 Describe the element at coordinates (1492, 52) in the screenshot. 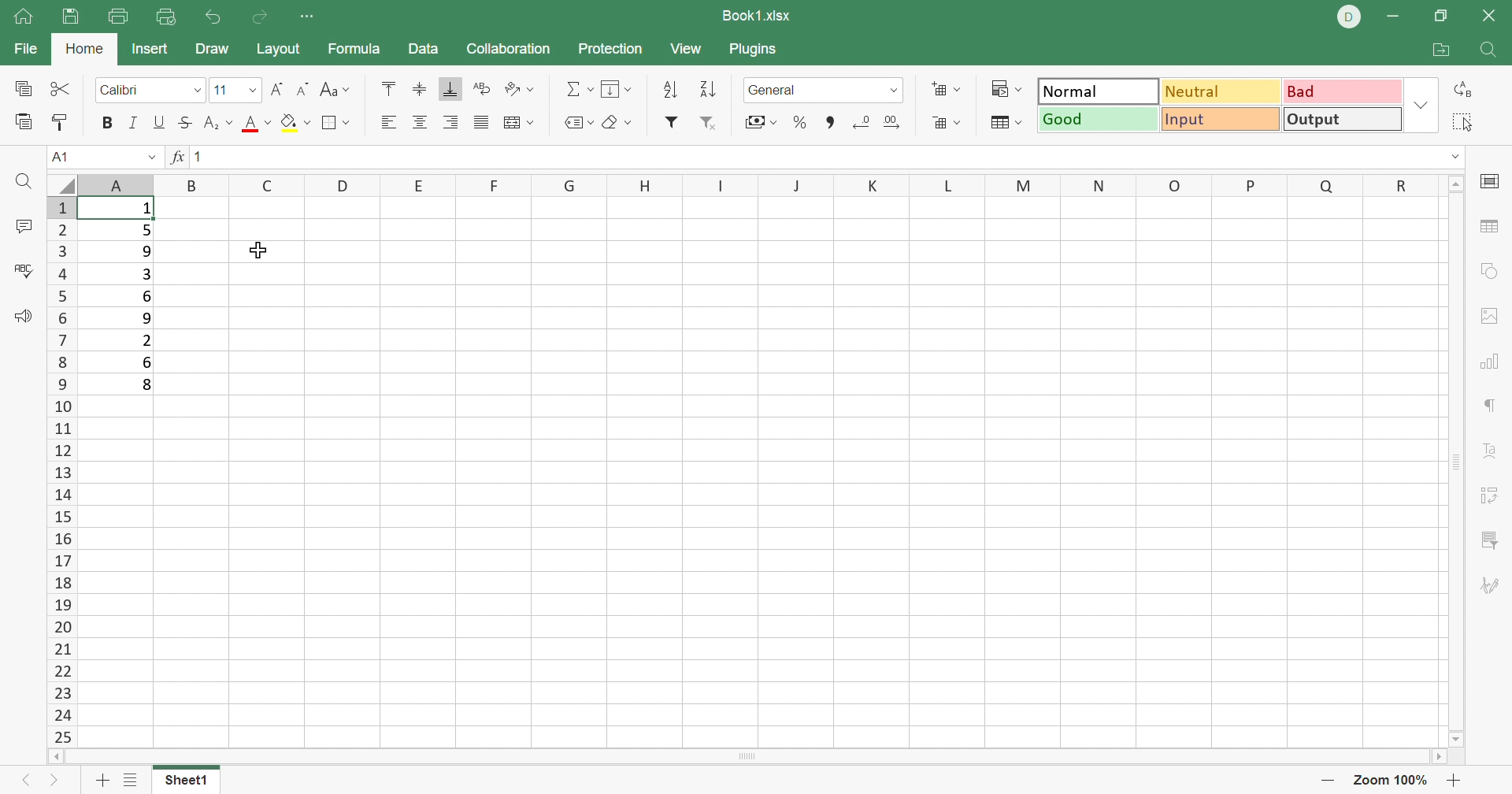

I see `Find` at that location.